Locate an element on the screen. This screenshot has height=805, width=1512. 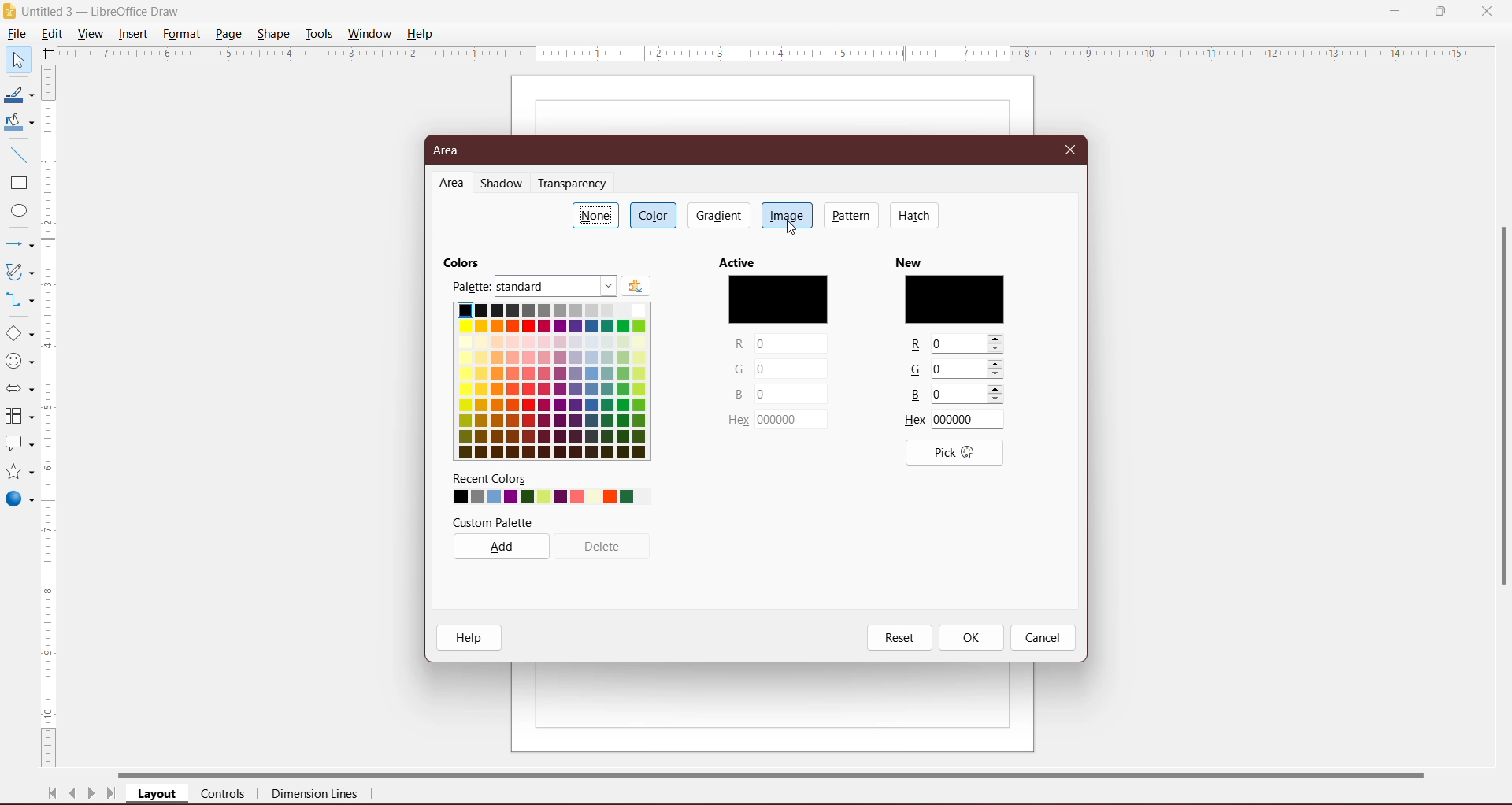
Color is located at coordinates (655, 215).